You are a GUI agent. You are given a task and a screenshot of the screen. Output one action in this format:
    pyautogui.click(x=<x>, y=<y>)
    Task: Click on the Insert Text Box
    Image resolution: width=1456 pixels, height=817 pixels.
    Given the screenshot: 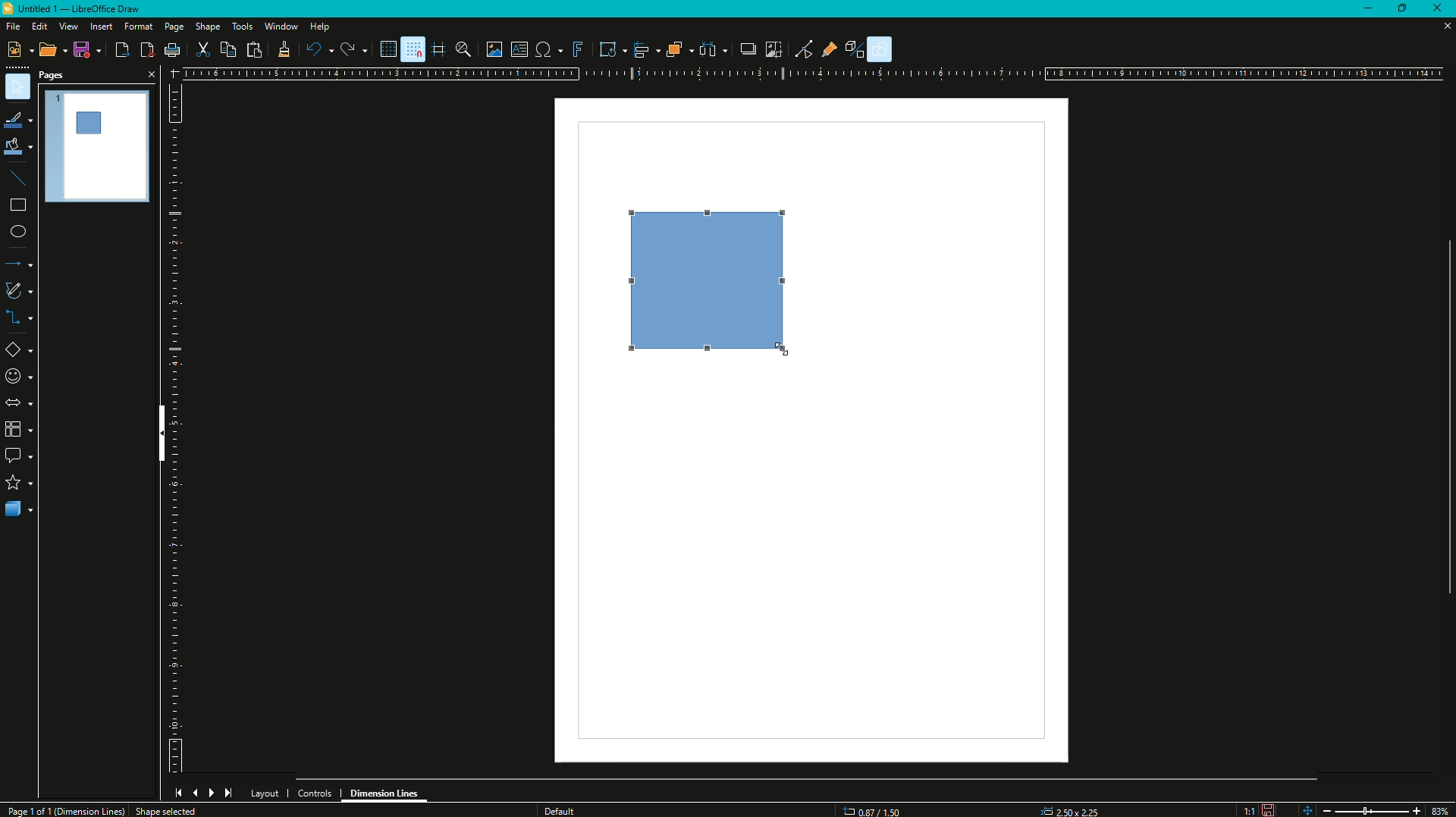 What is the action you would take?
    pyautogui.click(x=519, y=49)
    